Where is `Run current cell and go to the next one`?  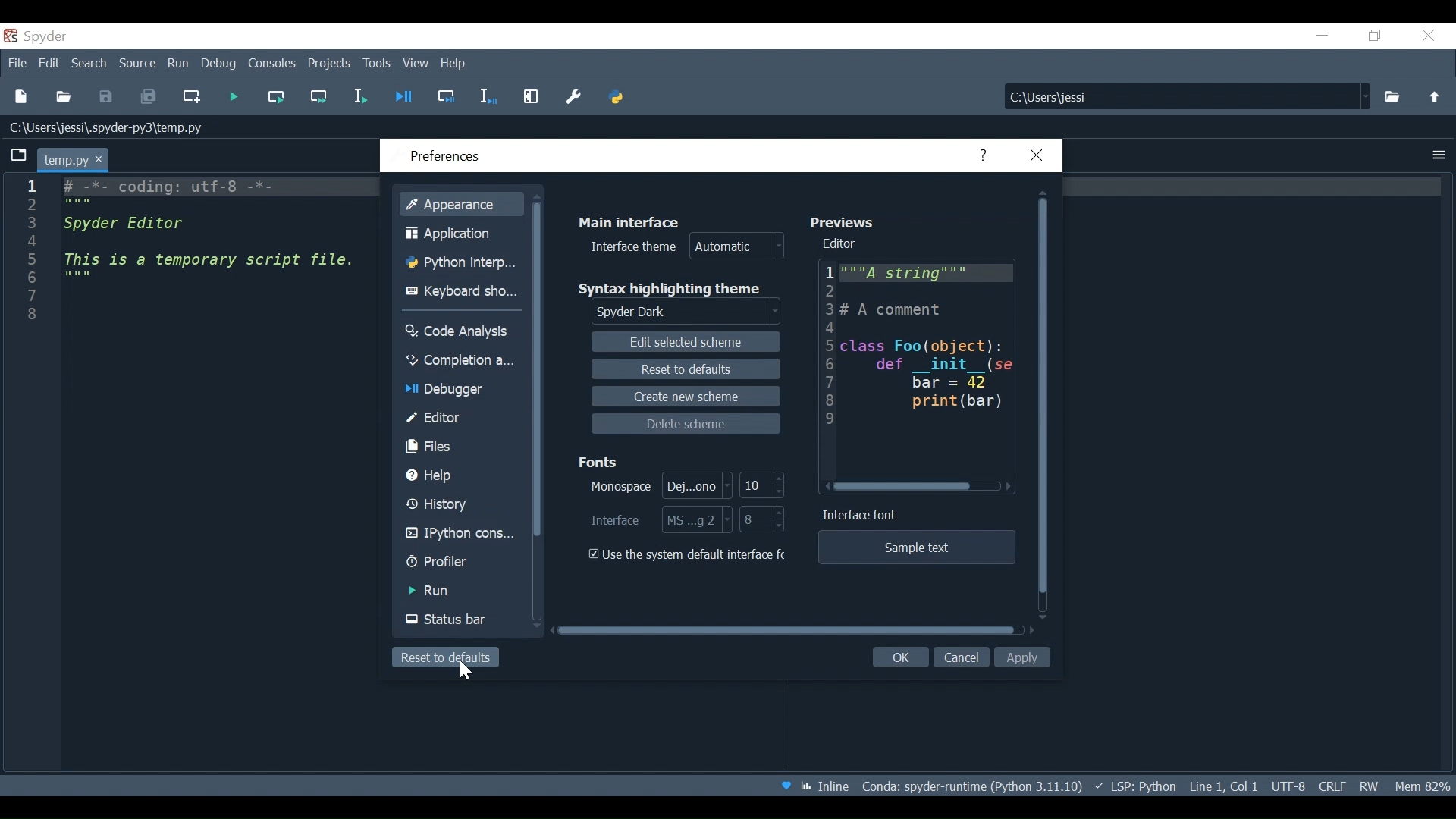
Run current cell and go to the next one is located at coordinates (320, 97).